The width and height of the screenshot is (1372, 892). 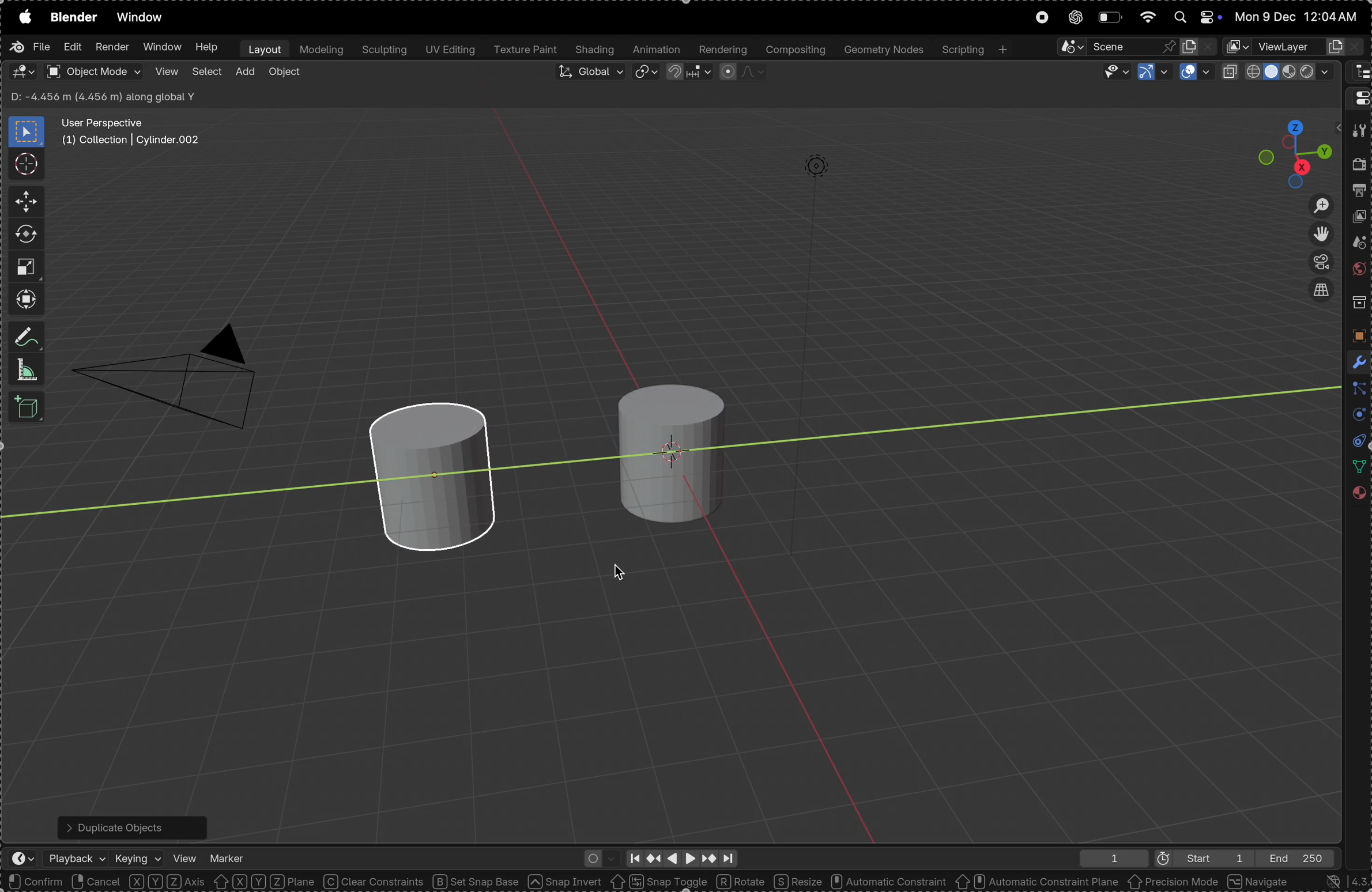 I want to click on render, so click(x=112, y=47).